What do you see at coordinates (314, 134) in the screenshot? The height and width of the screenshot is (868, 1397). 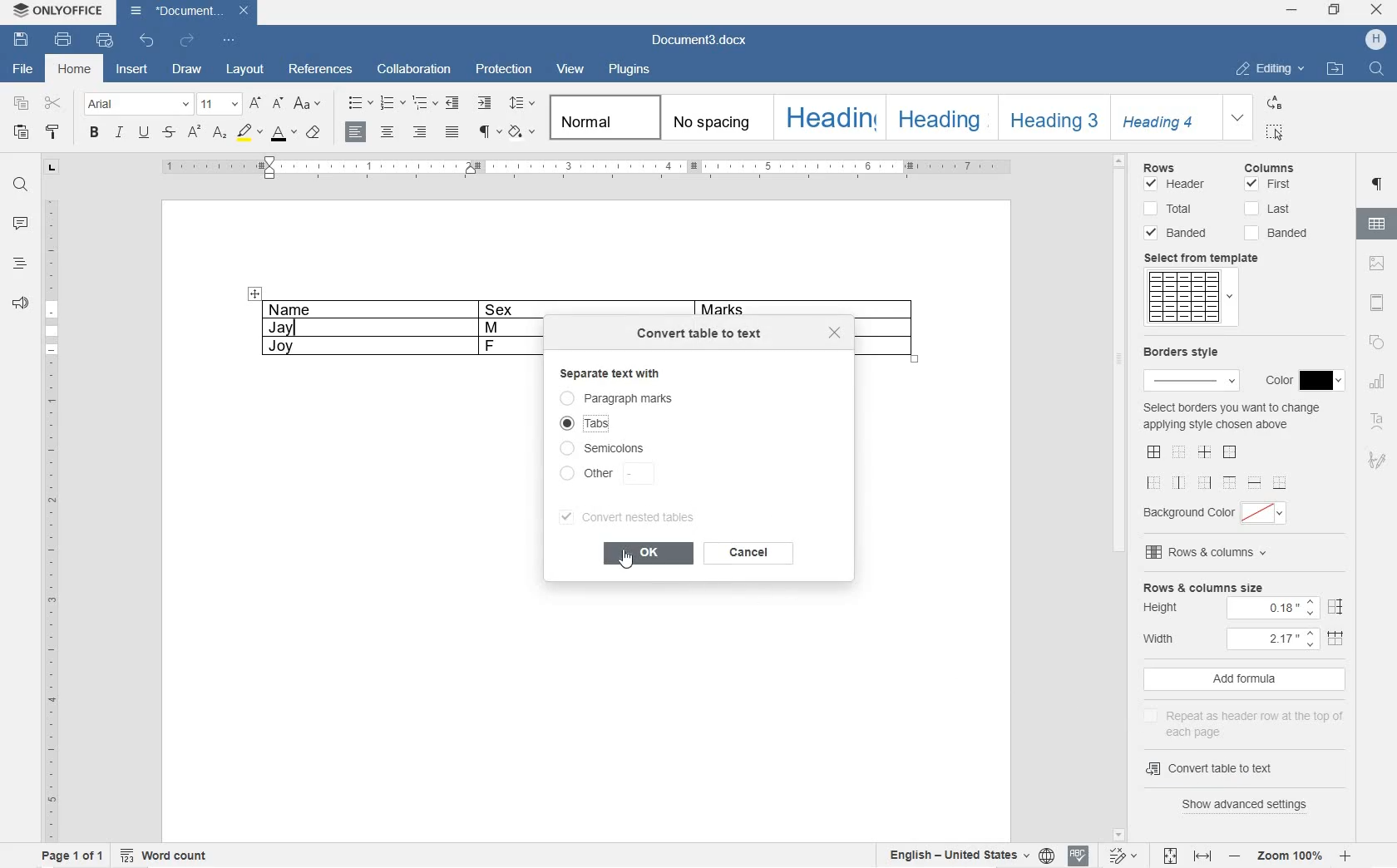 I see `COPY STYLE` at bounding box center [314, 134].